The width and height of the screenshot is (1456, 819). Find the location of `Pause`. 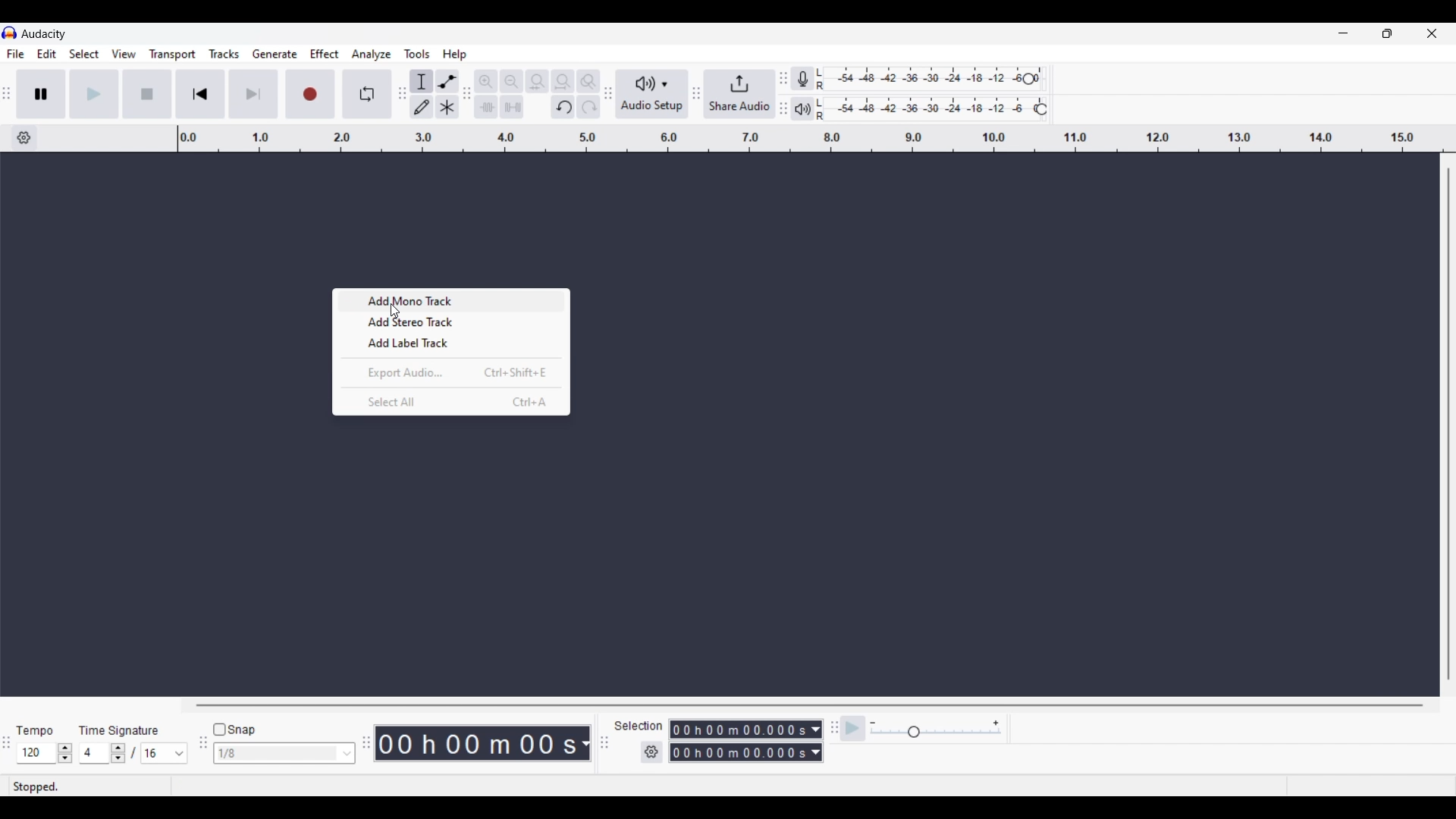

Pause is located at coordinates (41, 93).